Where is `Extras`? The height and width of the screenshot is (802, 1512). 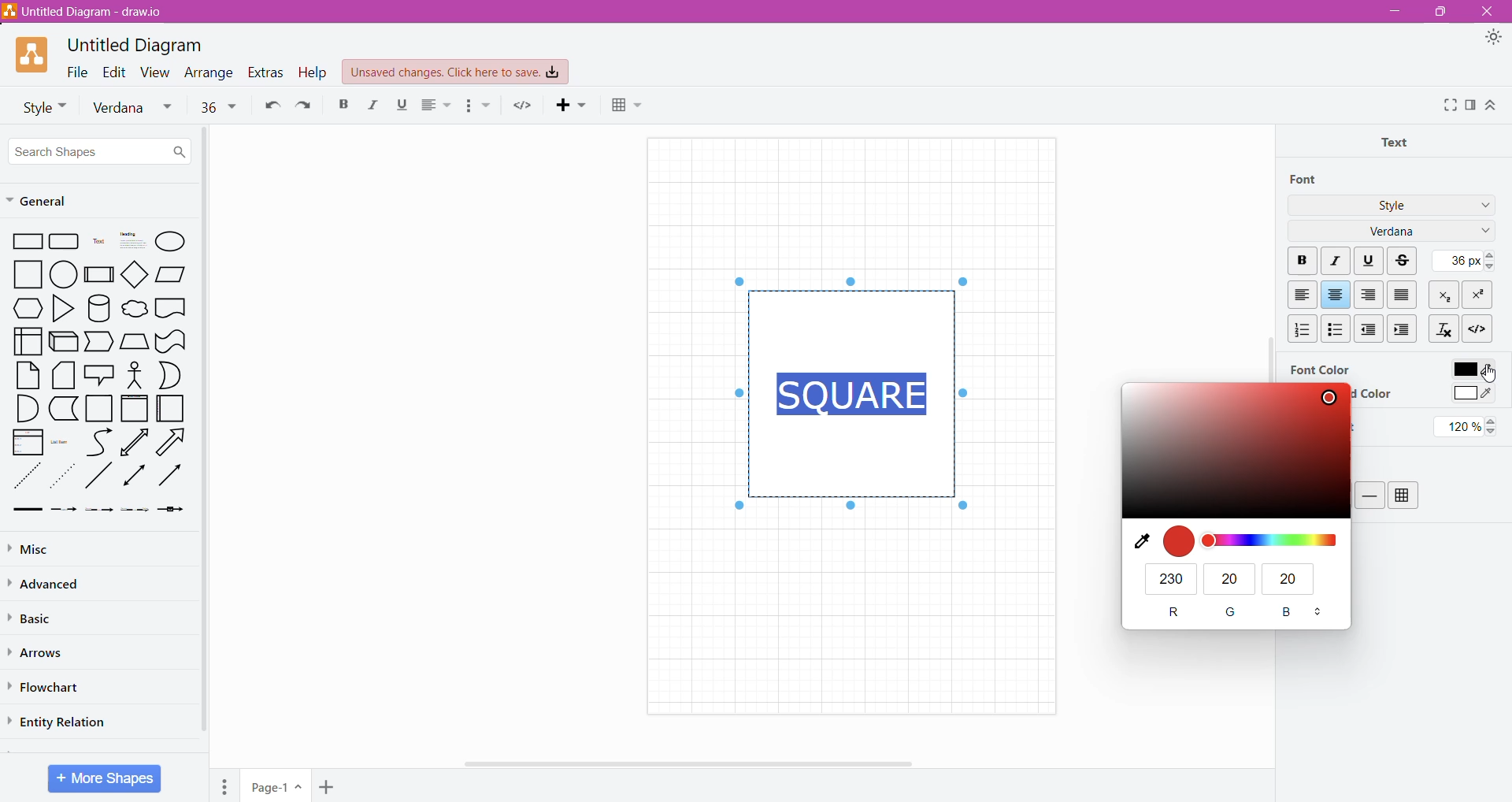
Extras is located at coordinates (265, 72).